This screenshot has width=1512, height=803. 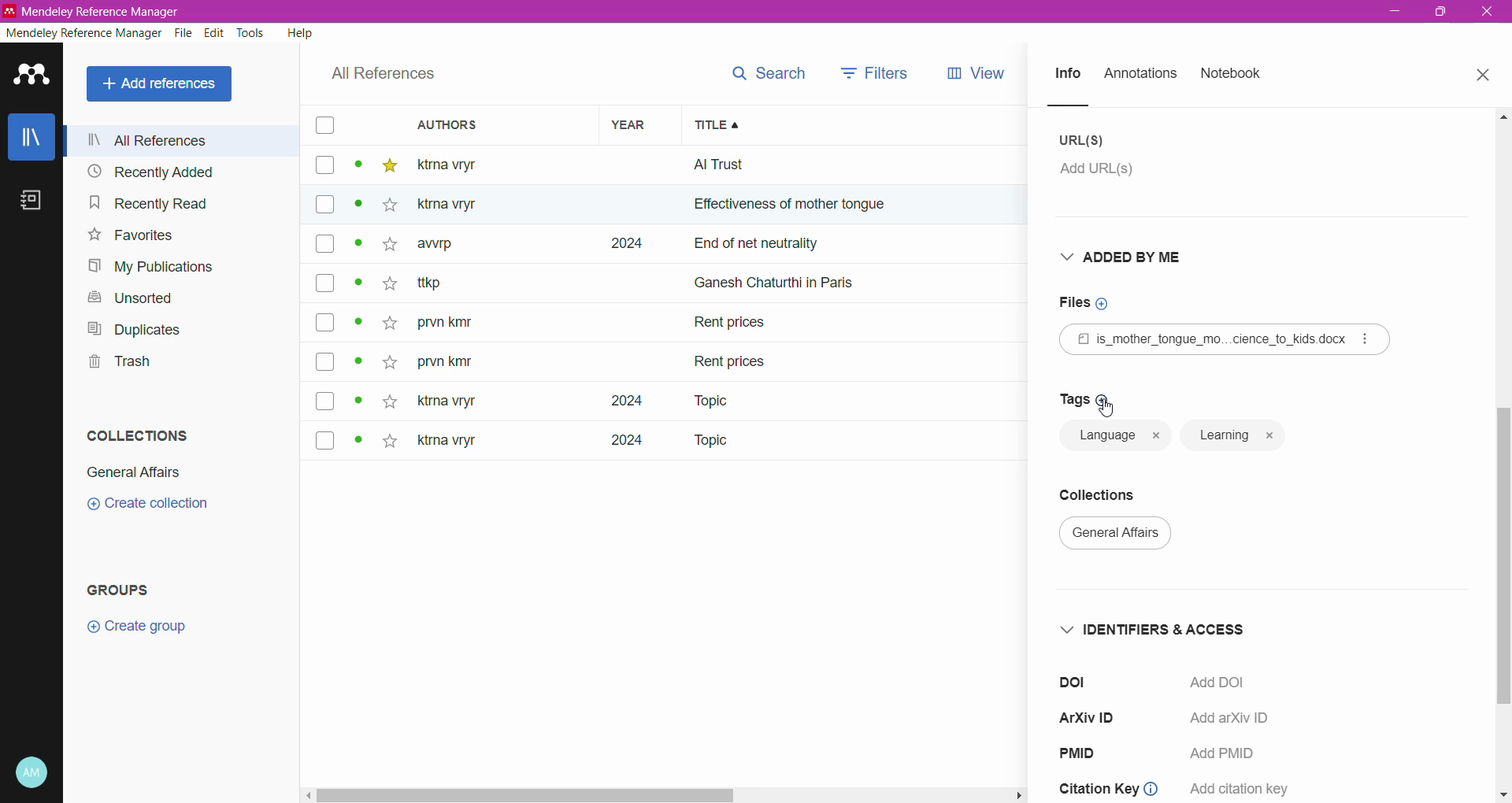 I want to click on star, so click(x=387, y=324).